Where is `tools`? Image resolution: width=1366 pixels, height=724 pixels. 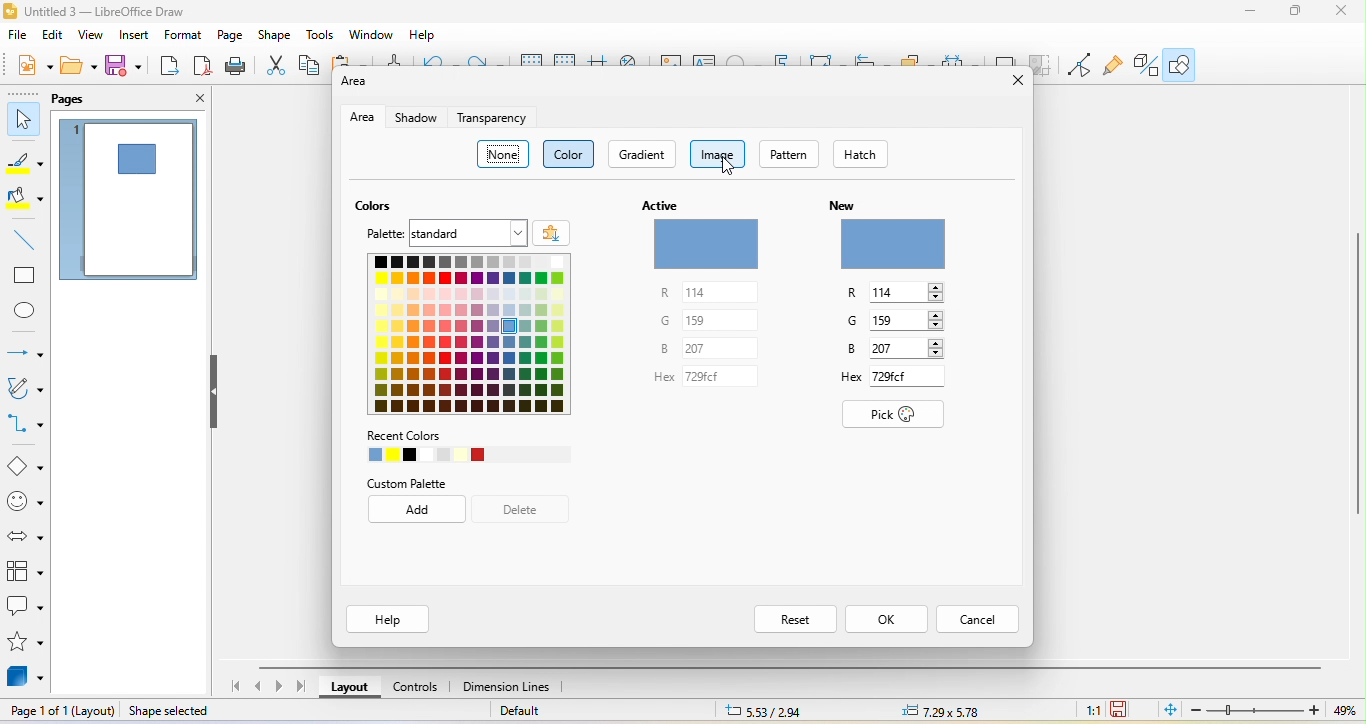
tools is located at coordinates (323, 36).